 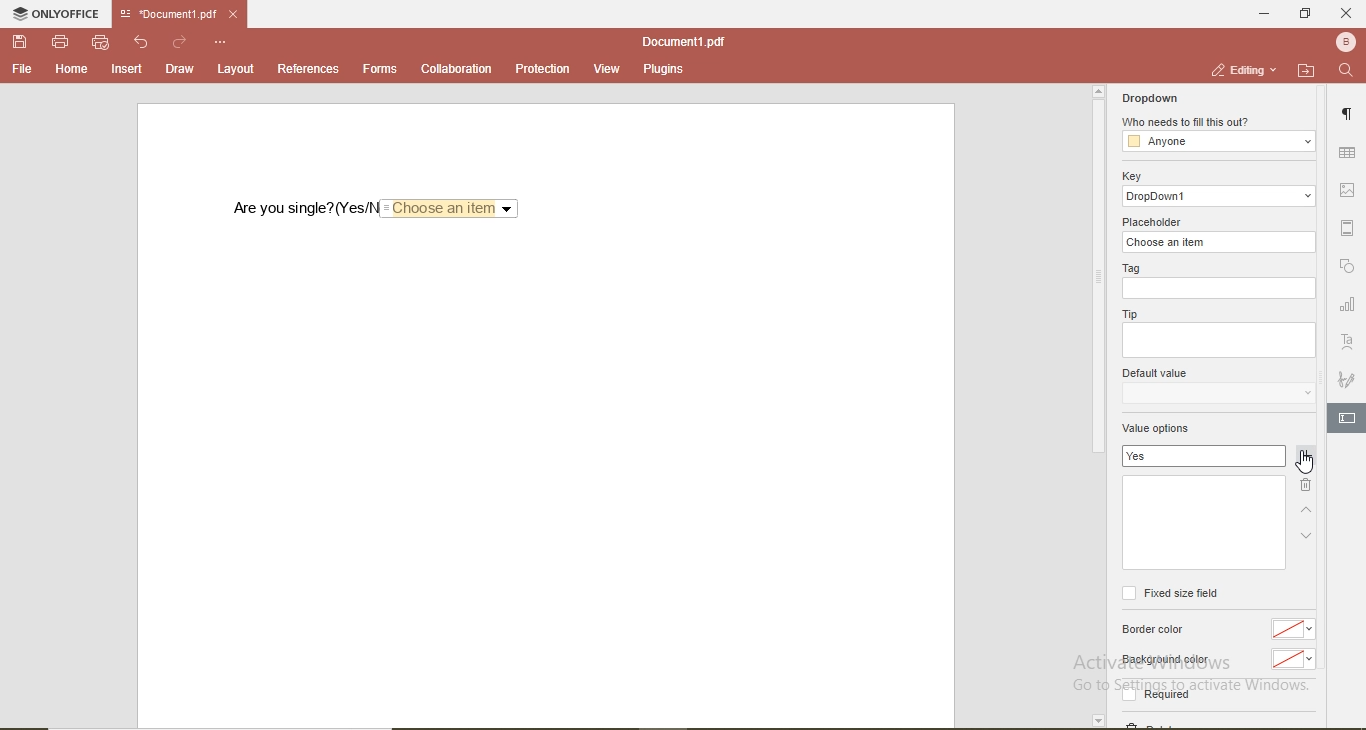 I want to click on are you single? (Yes/No), so click(x=304, y=209).